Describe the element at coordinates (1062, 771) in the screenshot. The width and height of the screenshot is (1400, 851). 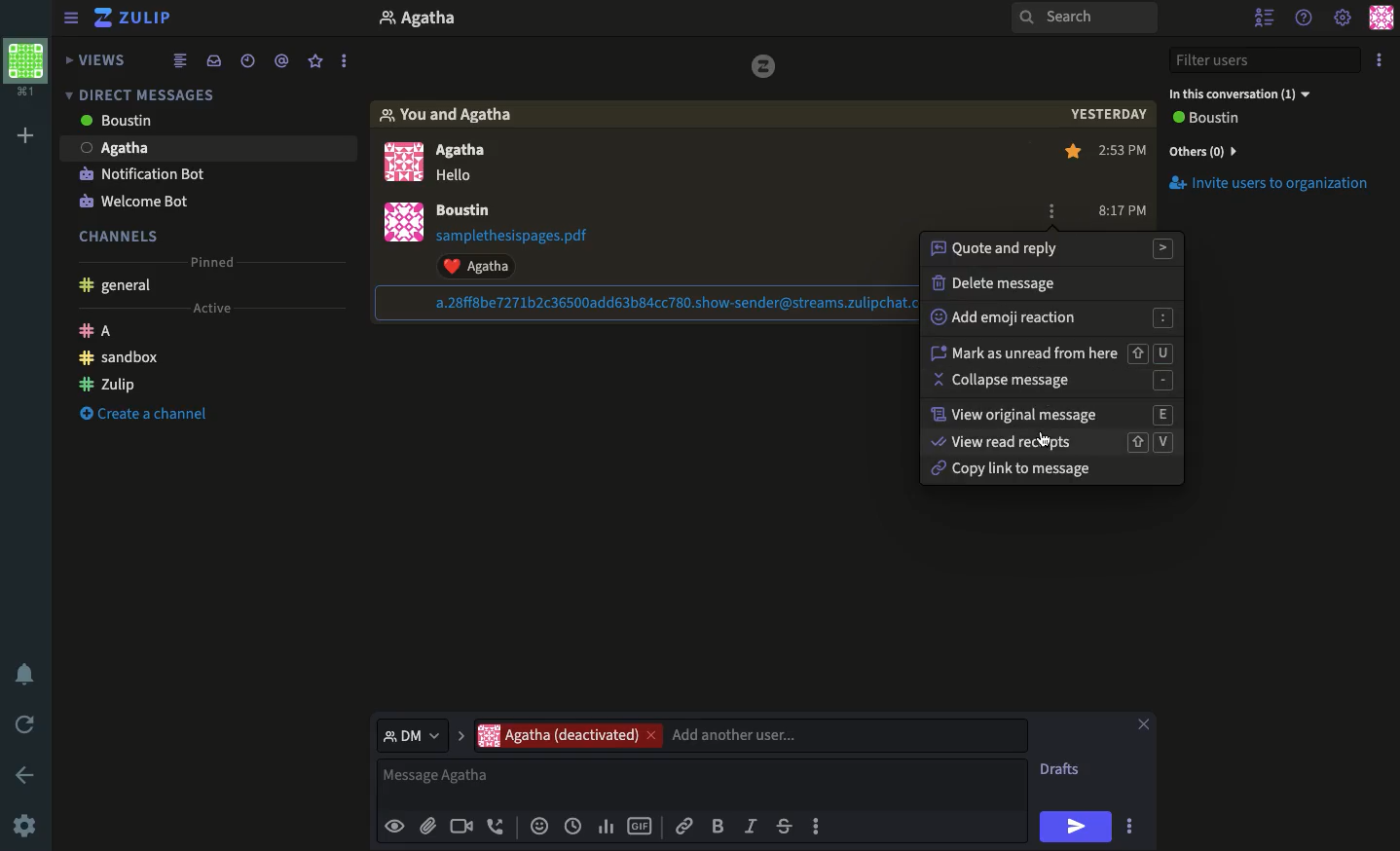
I see `Drafts` at that location.